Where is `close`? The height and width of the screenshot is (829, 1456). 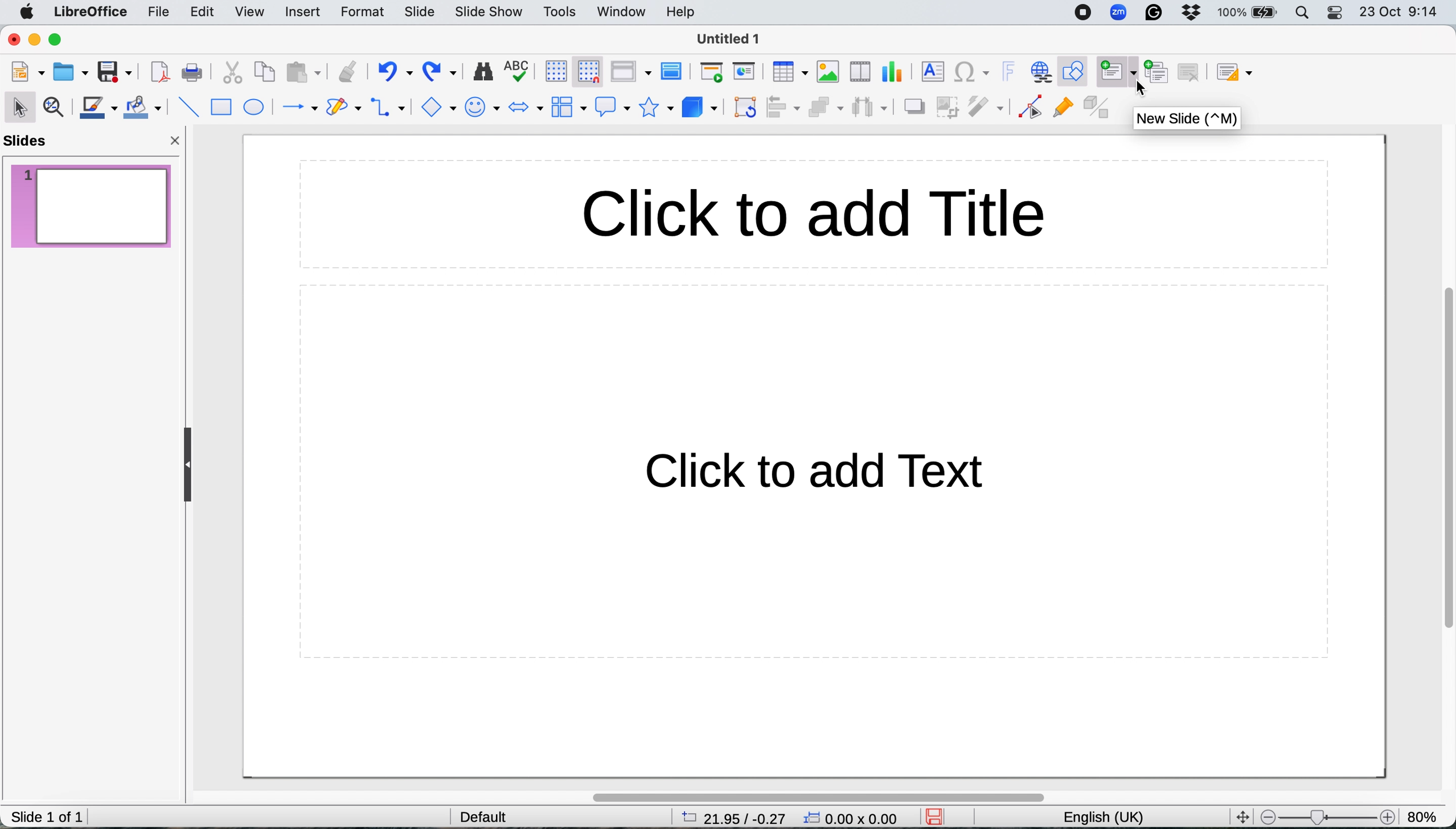
close is located at coordinates (178, 140).